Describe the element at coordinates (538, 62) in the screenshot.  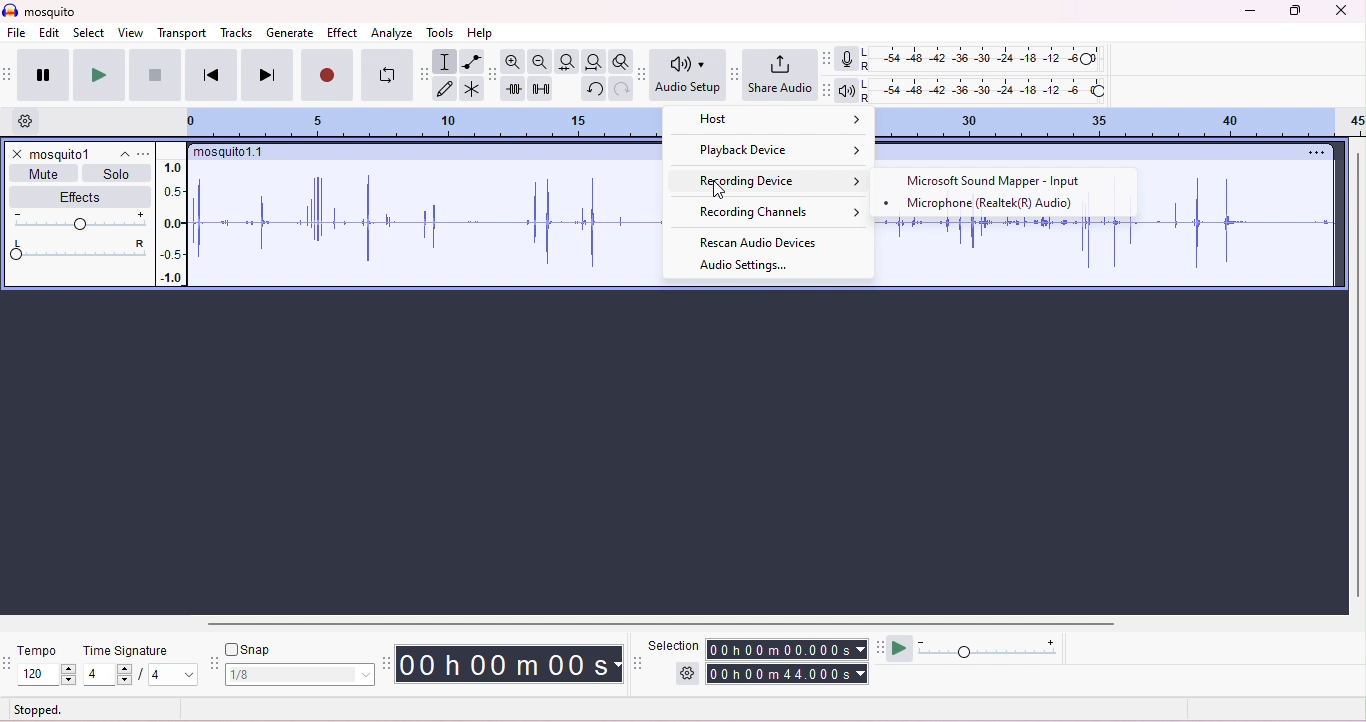
I see `zoom in` at that location.